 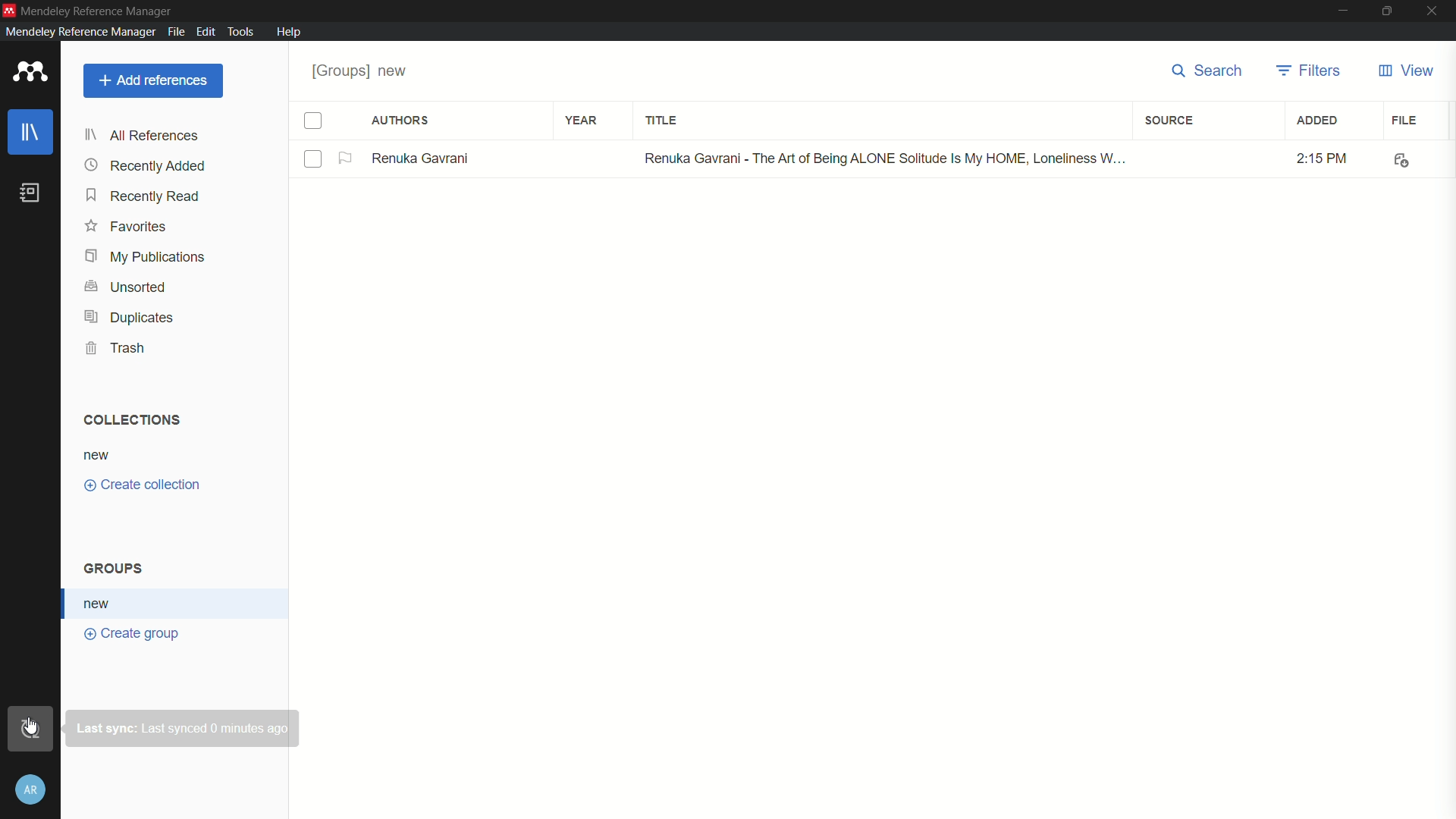 What do you see at coordinates (1313, 158) in the screenshot?
I see `2:15 PM` at bounding box center [1313, 158].